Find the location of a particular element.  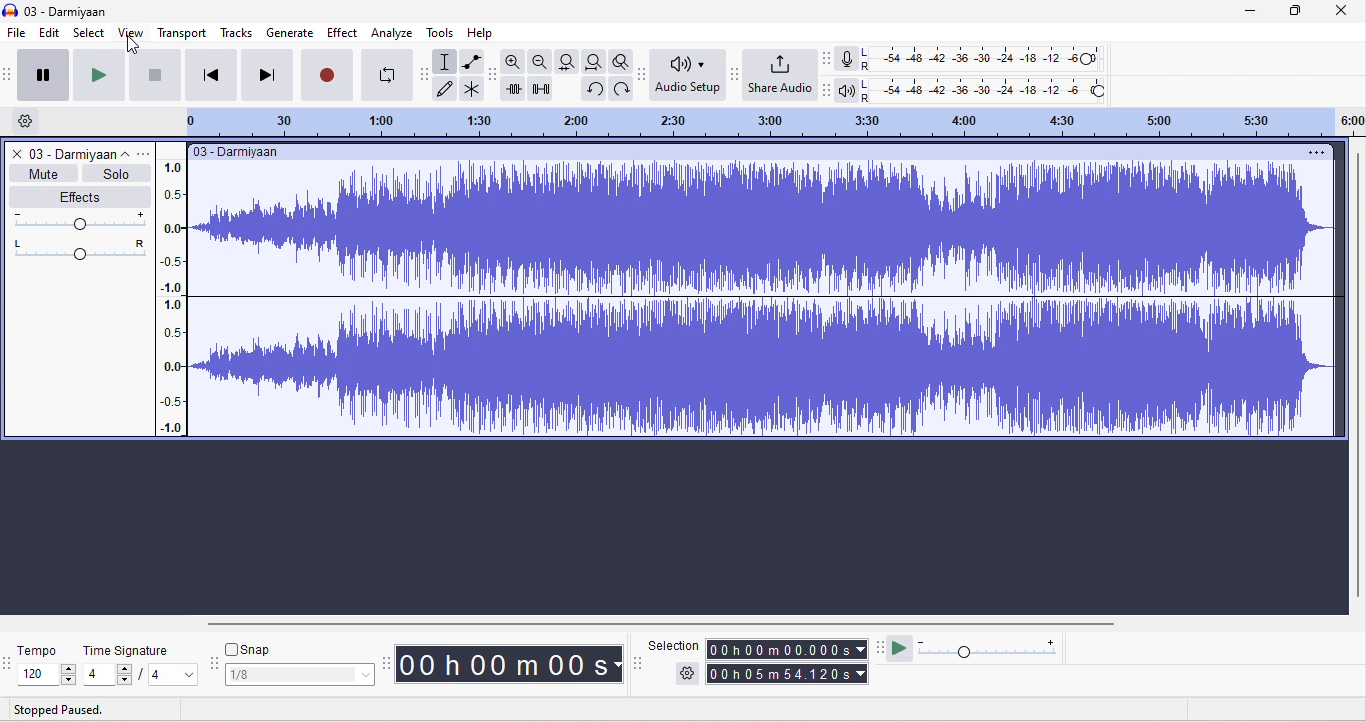

play is located at coordinates (97, 74).